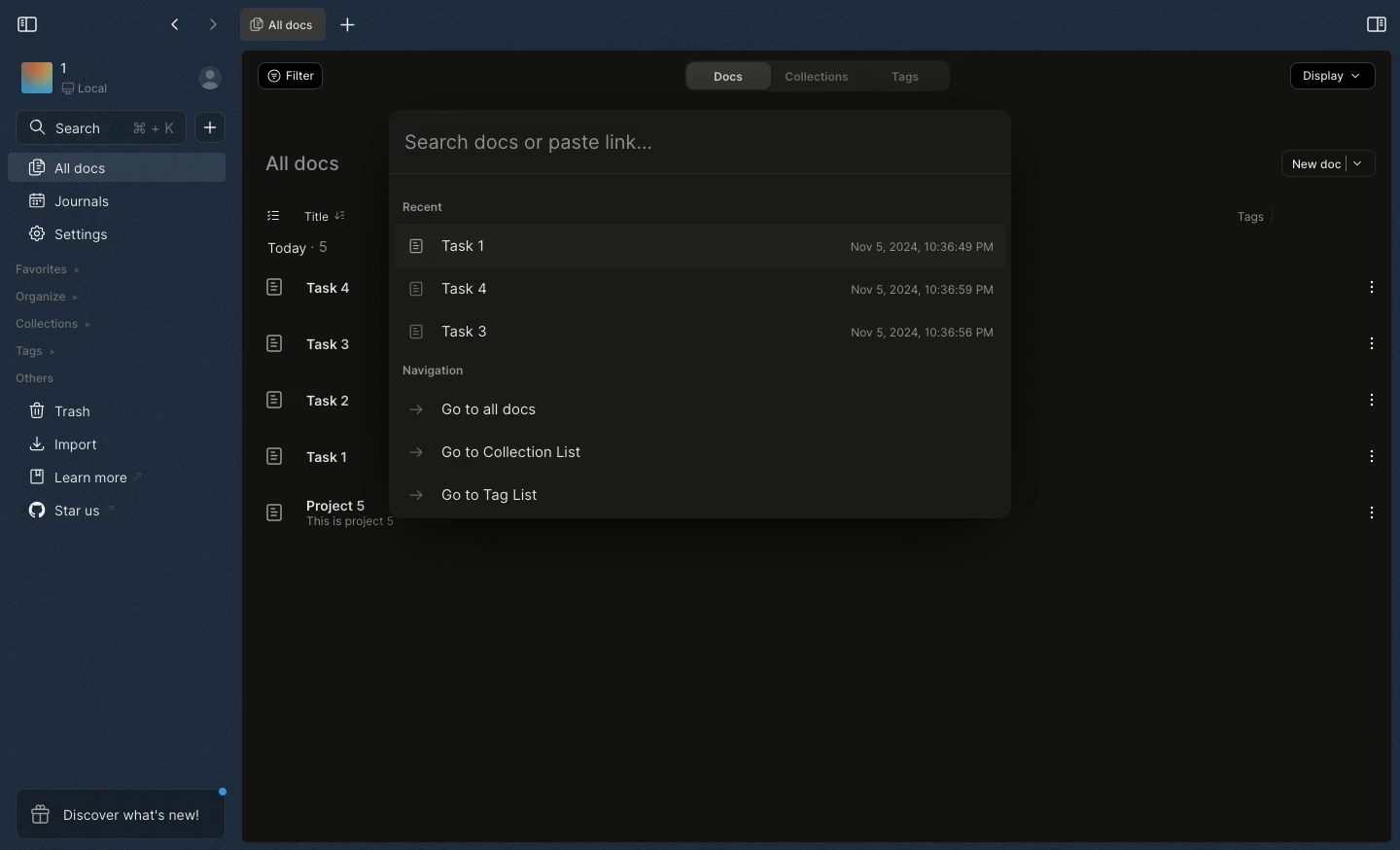 The image size is (1400, 850). I want to click on Forward, so click(209, 21).